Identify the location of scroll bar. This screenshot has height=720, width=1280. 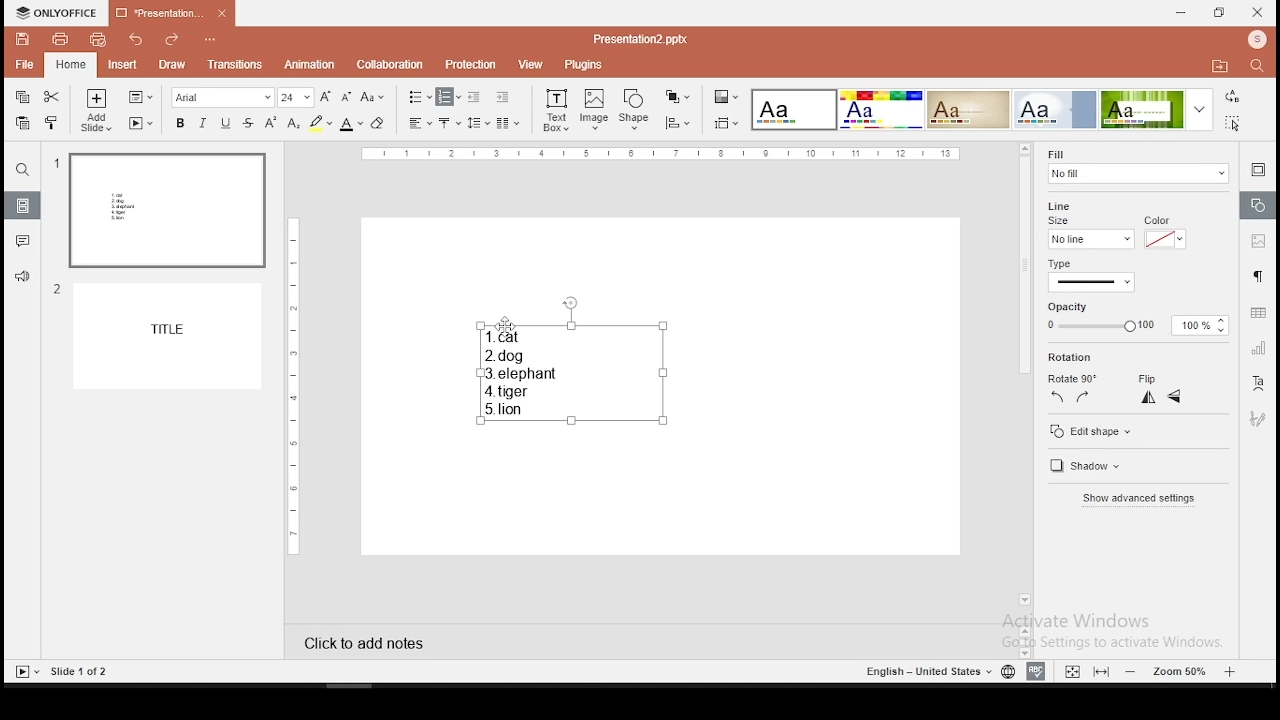
(1024, 376).